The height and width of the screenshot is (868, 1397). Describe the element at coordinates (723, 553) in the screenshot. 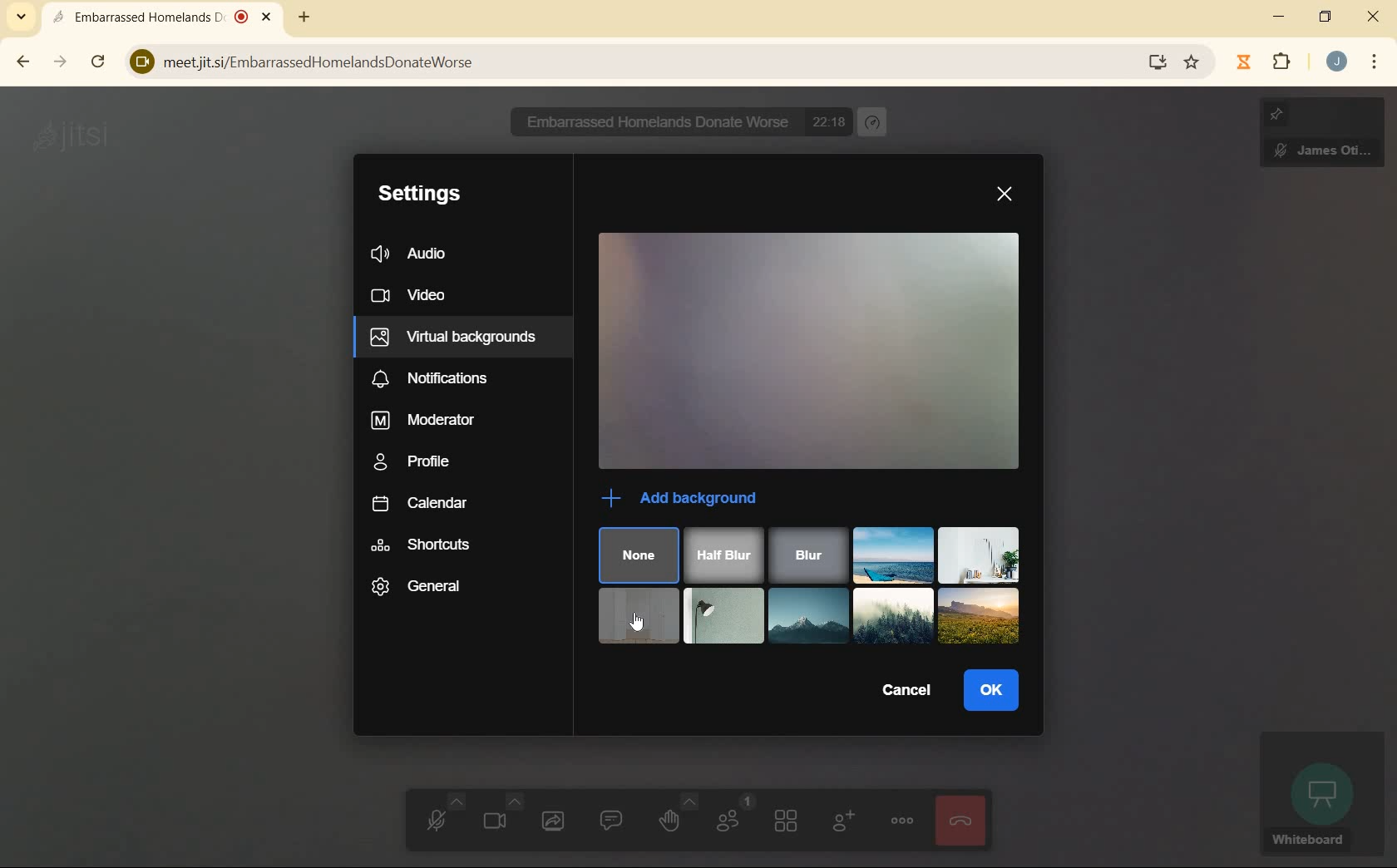

I see `half blur` at that location.